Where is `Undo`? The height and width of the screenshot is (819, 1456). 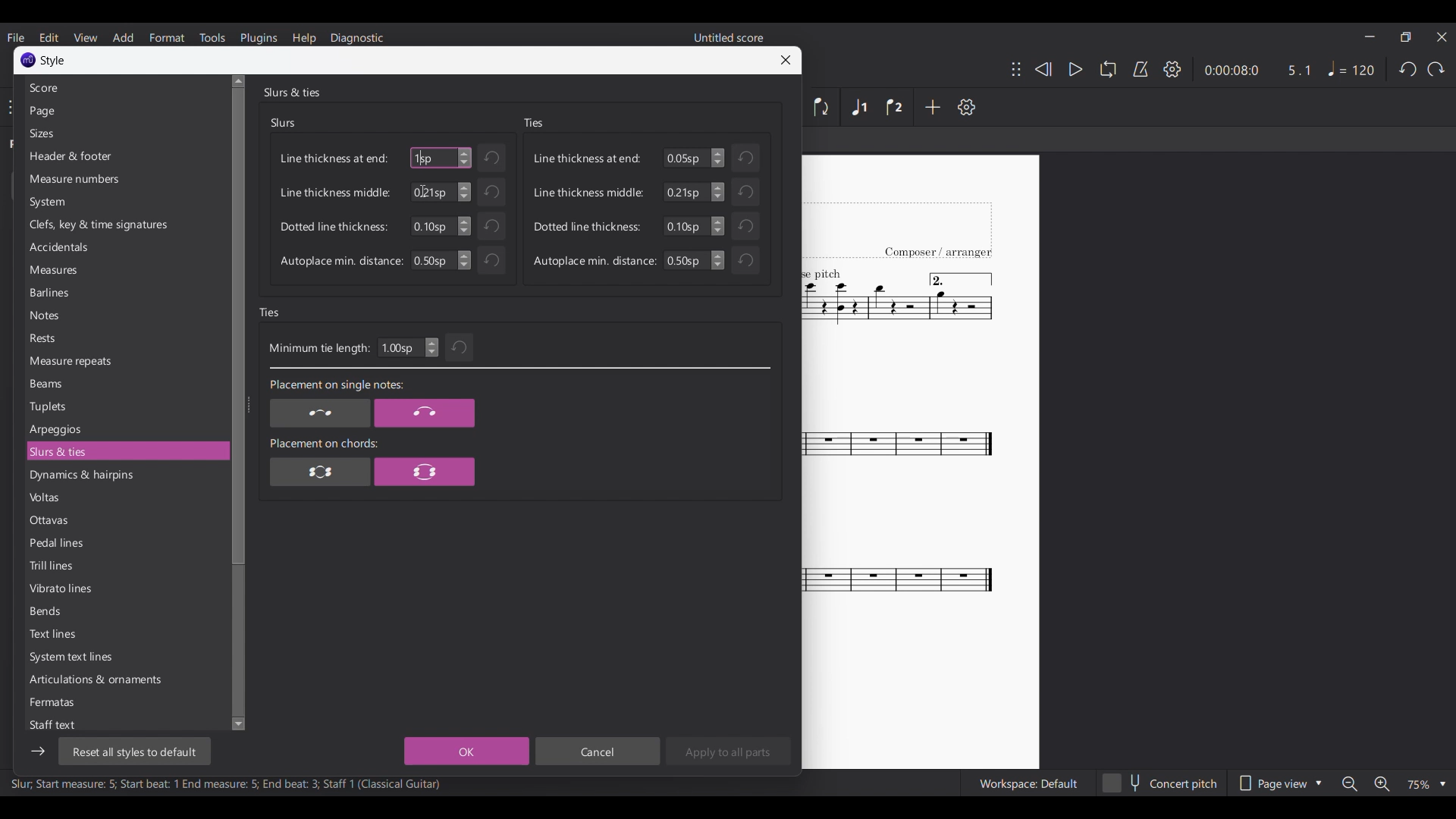 Undo is located at coordinates (492, 158).